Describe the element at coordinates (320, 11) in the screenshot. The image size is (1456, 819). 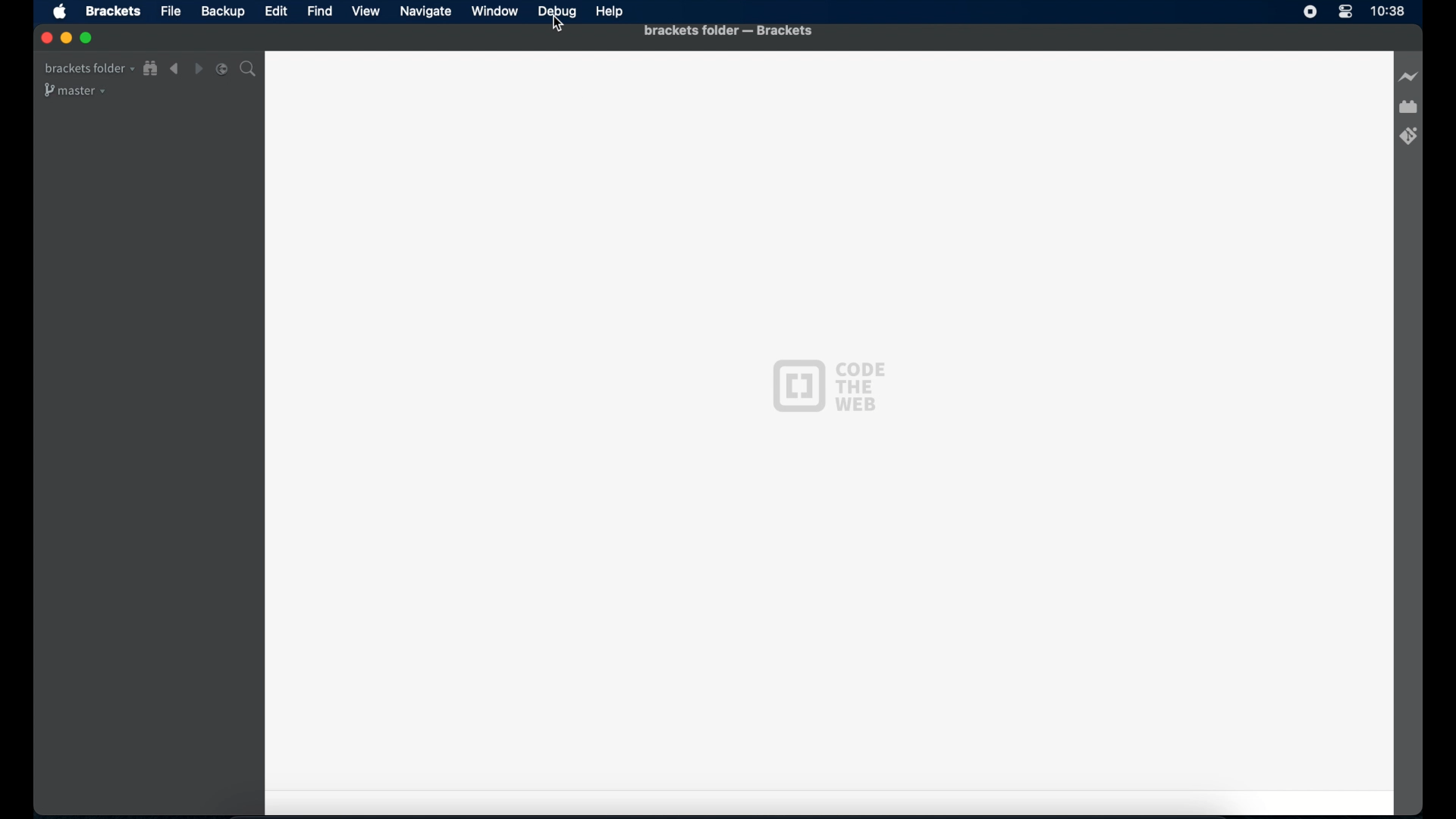
I see `find` at that location.